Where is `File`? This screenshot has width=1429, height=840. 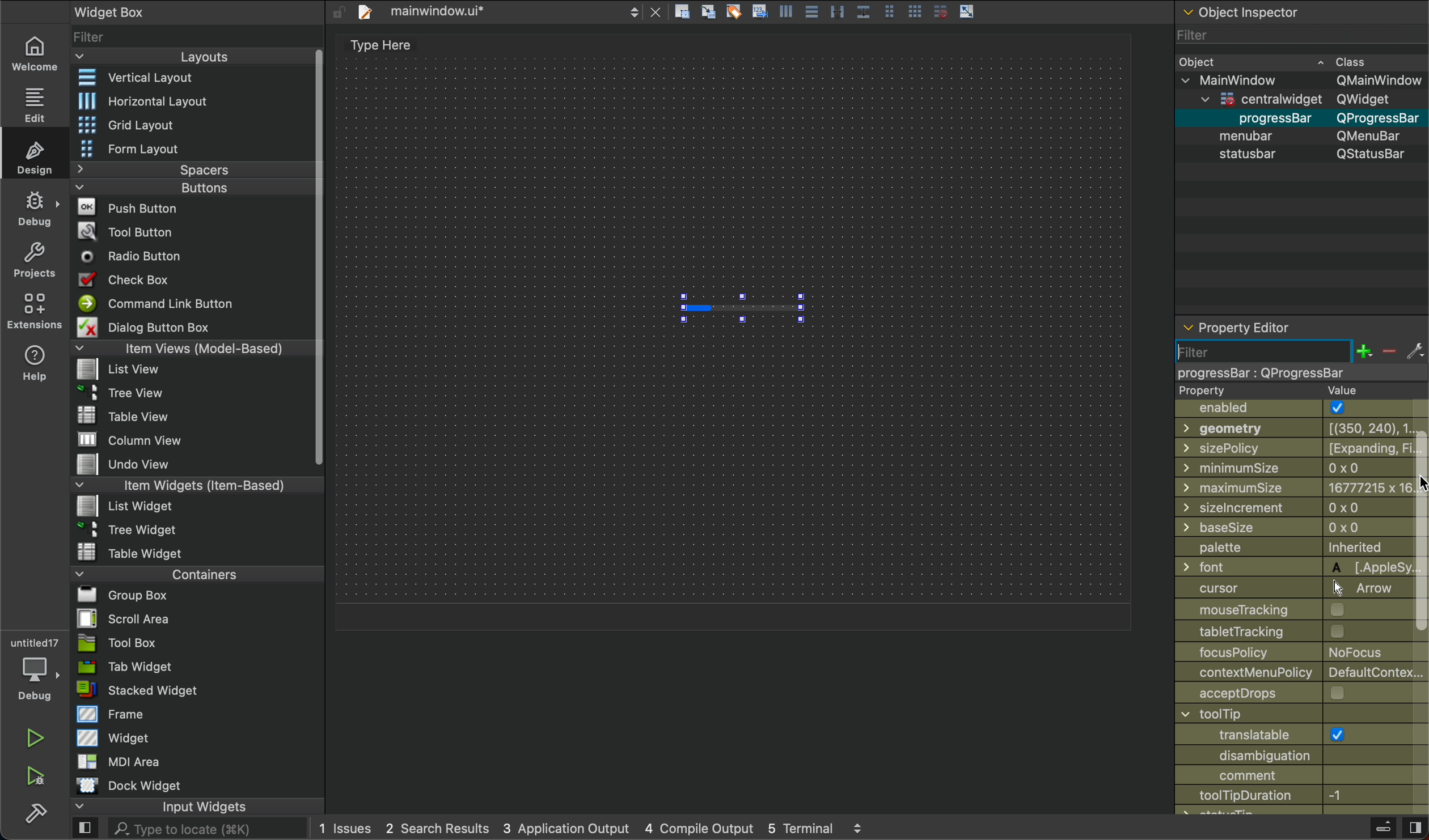 File is located at coordinates (132, 551).